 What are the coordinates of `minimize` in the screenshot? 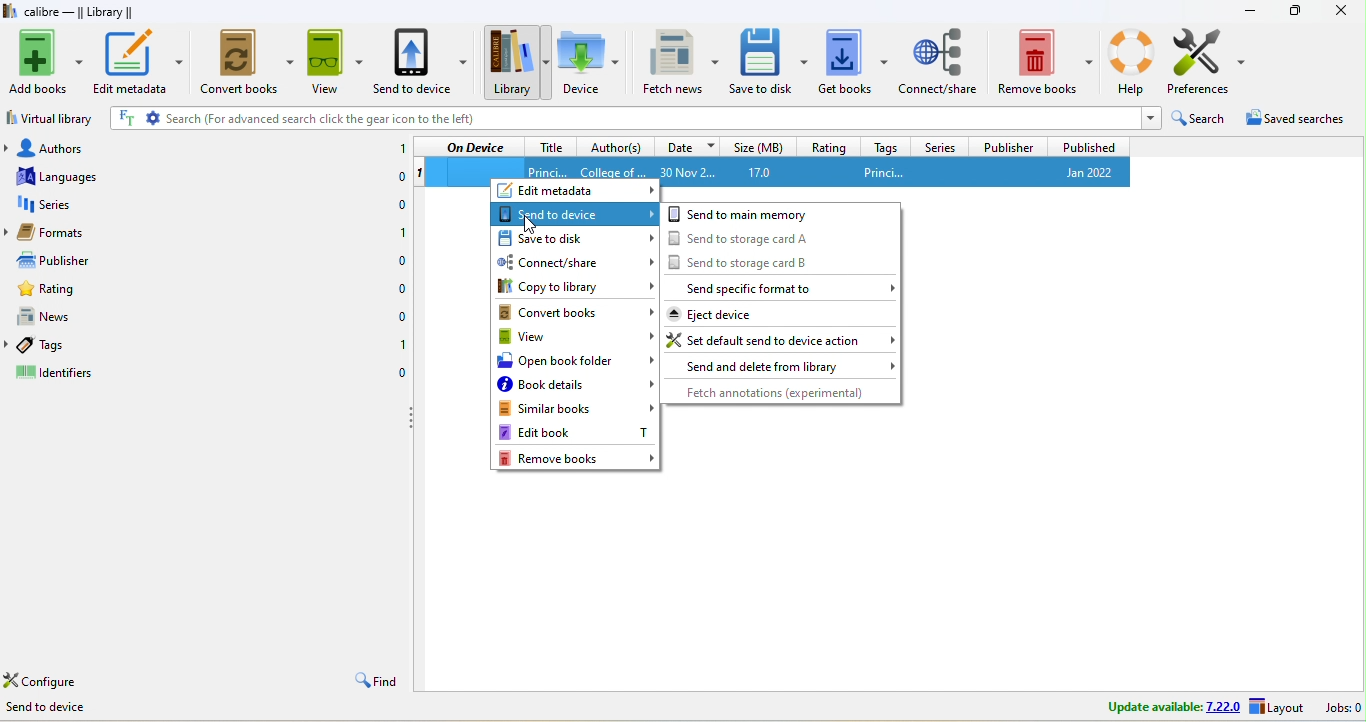 It's located at (1250, 10).